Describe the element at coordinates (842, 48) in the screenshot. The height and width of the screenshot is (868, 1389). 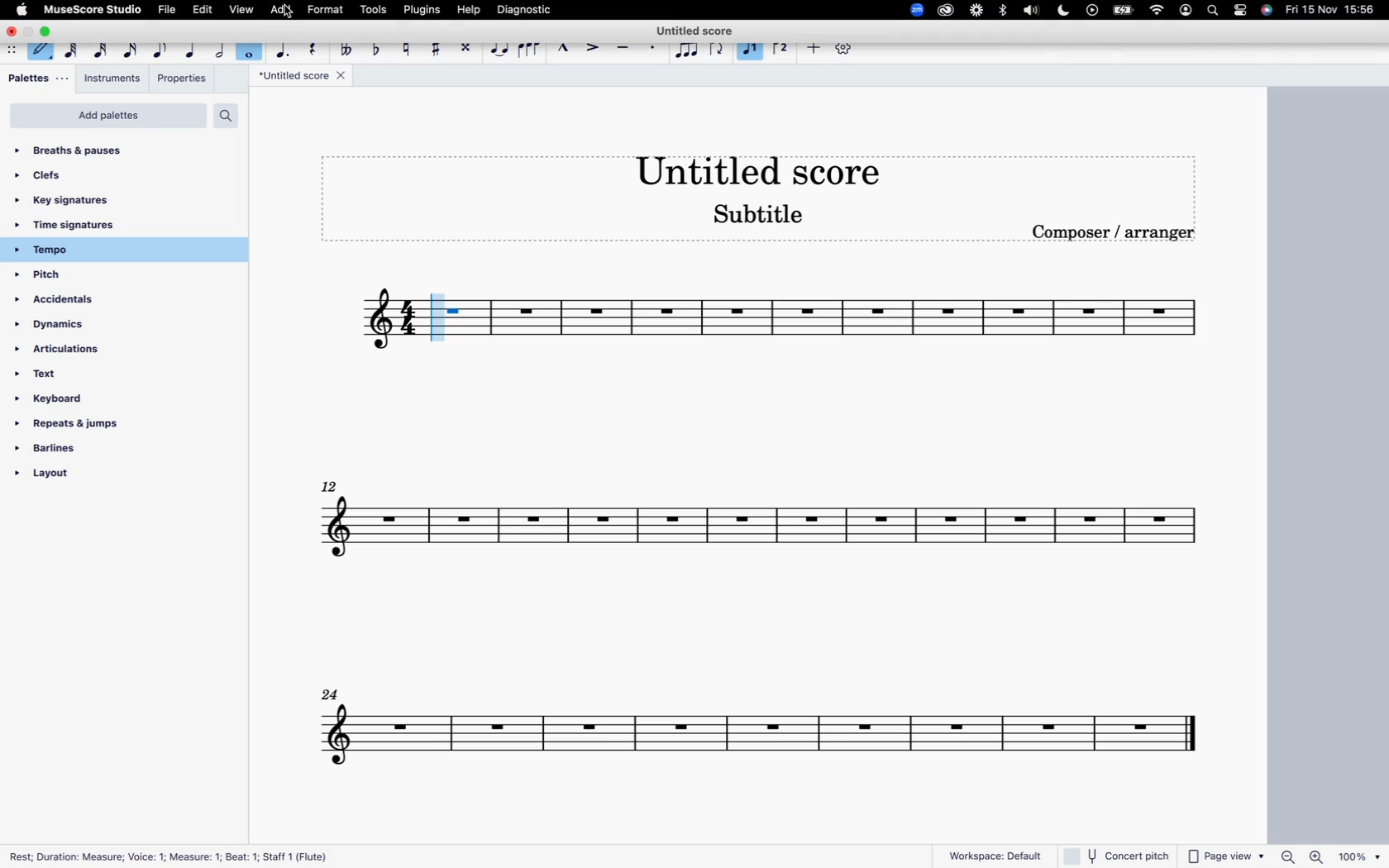
I see `settings` at that location.